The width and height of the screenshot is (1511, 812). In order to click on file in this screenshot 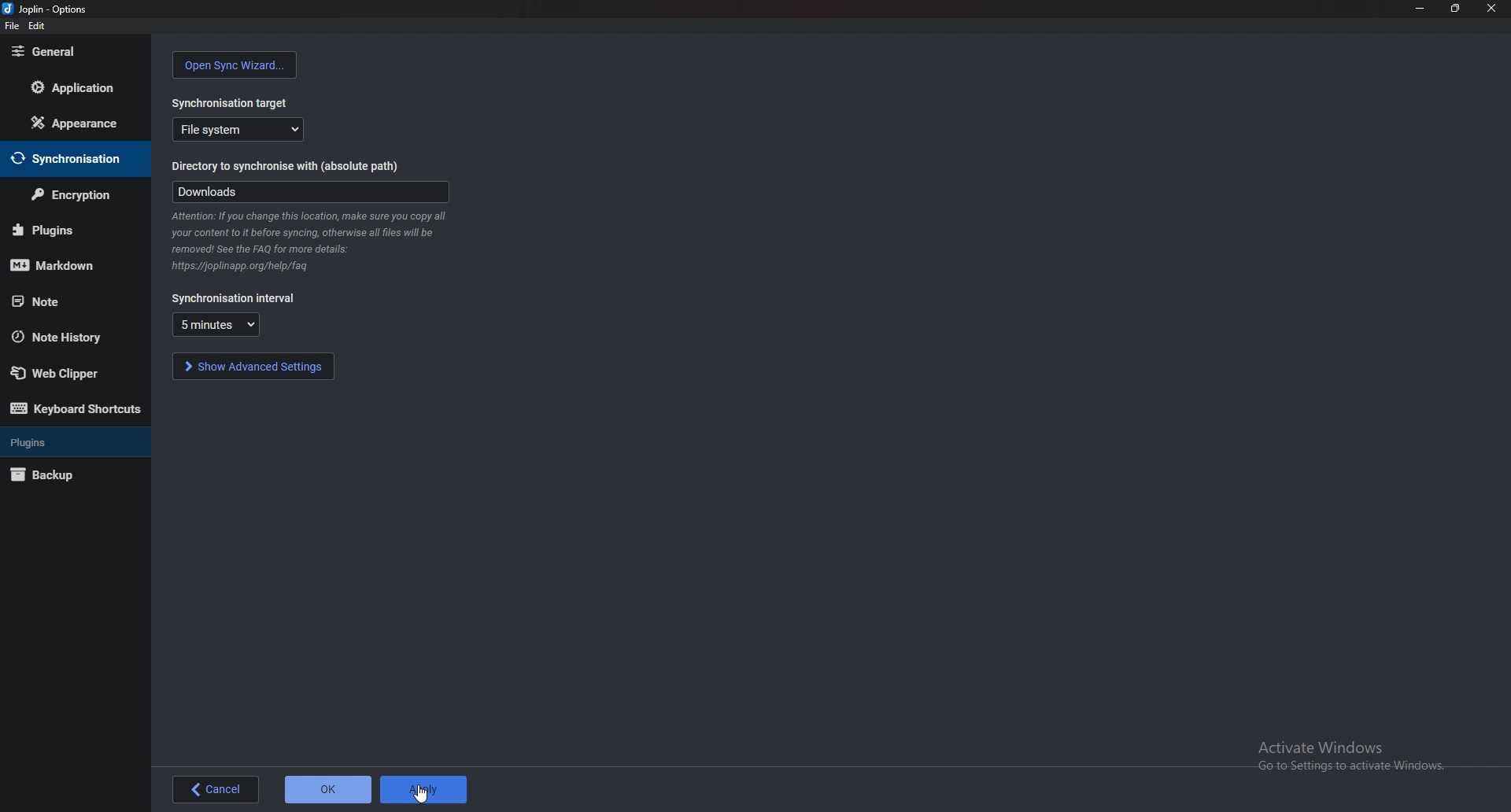, I will do `click(12, 26)`.